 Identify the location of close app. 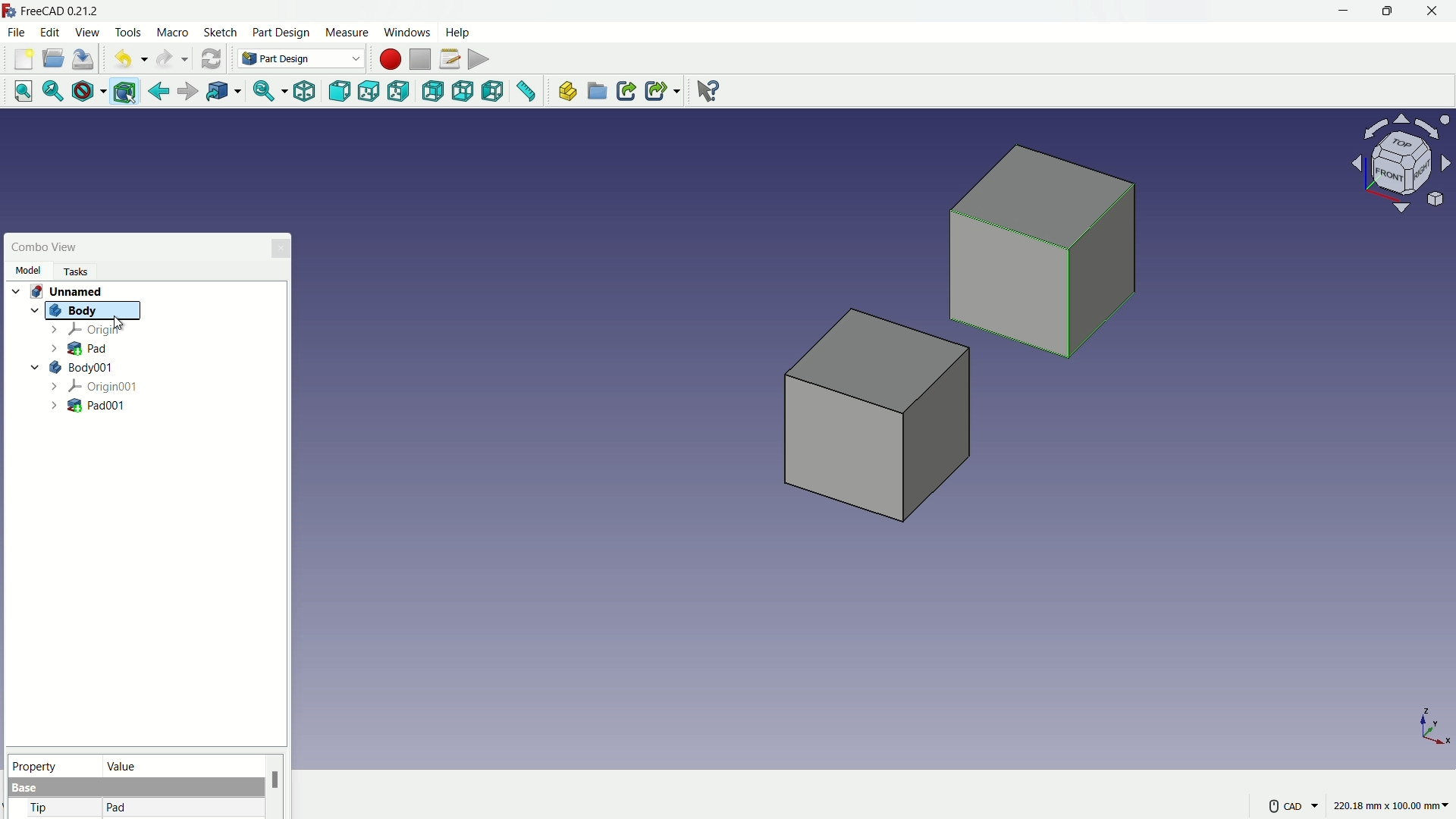
(1433, 11).